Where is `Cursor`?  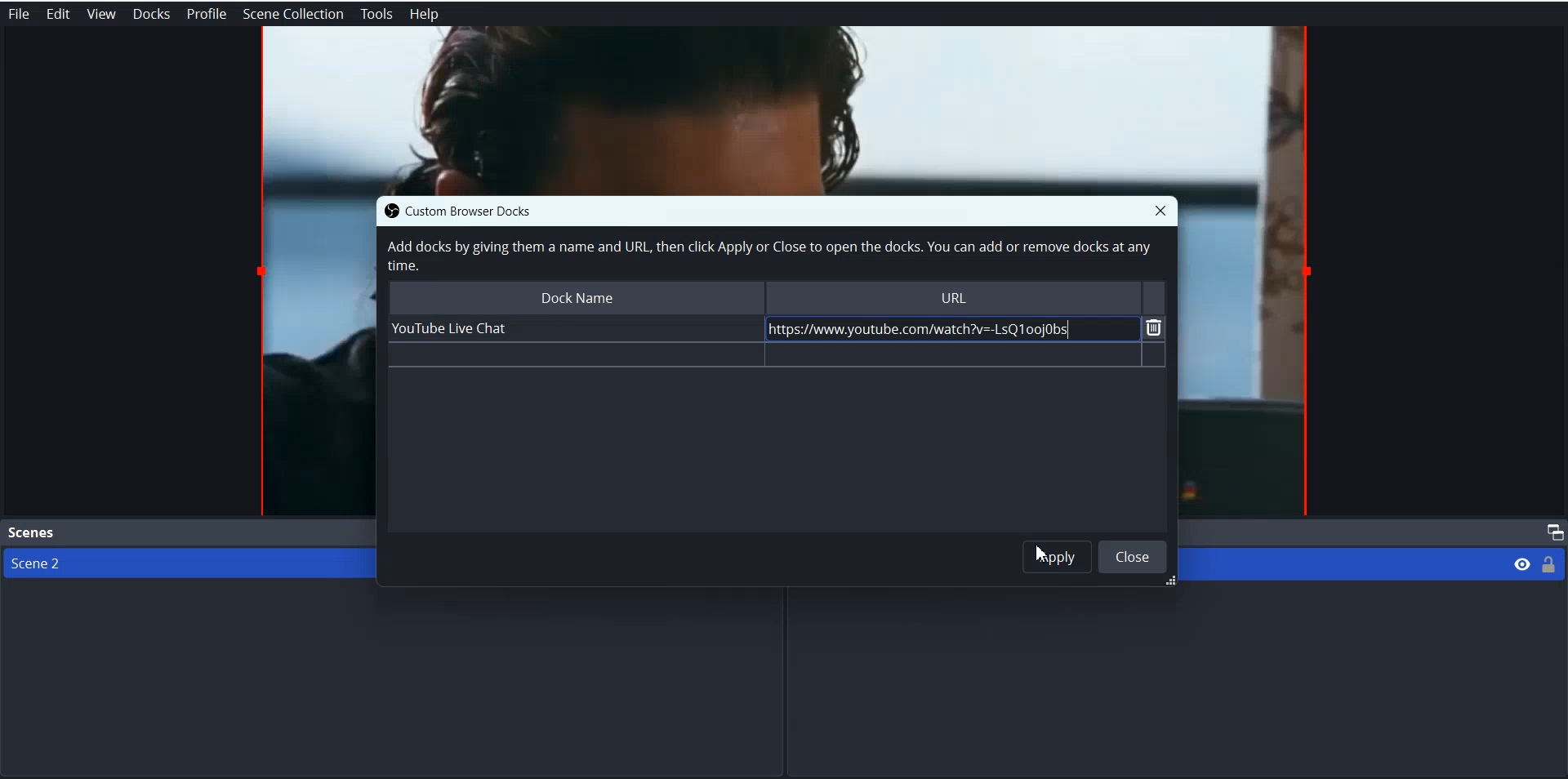 Cursor is located at coordinates (1044, 554).